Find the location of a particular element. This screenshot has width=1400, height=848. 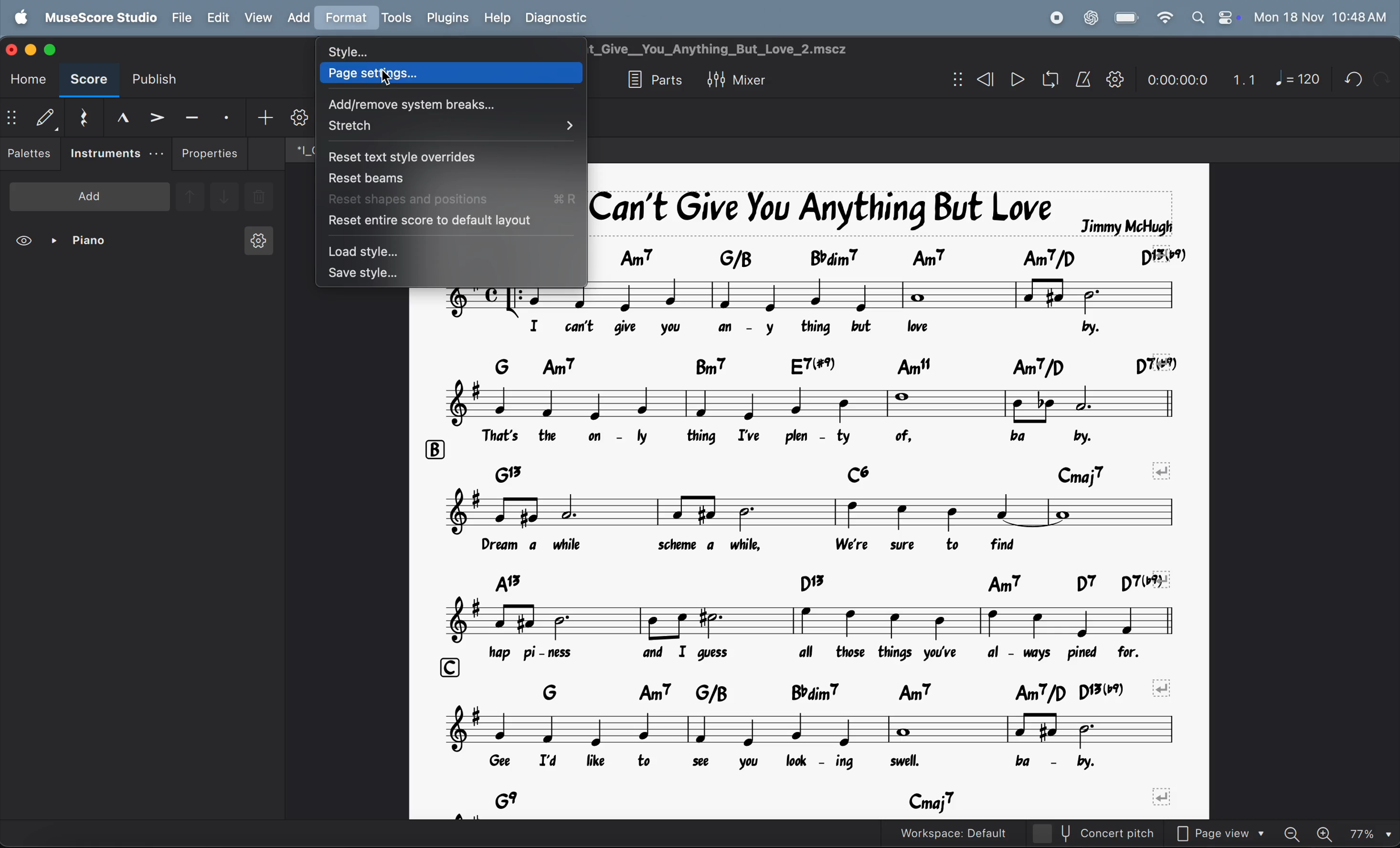

notes is located at coordinates (738, 403).